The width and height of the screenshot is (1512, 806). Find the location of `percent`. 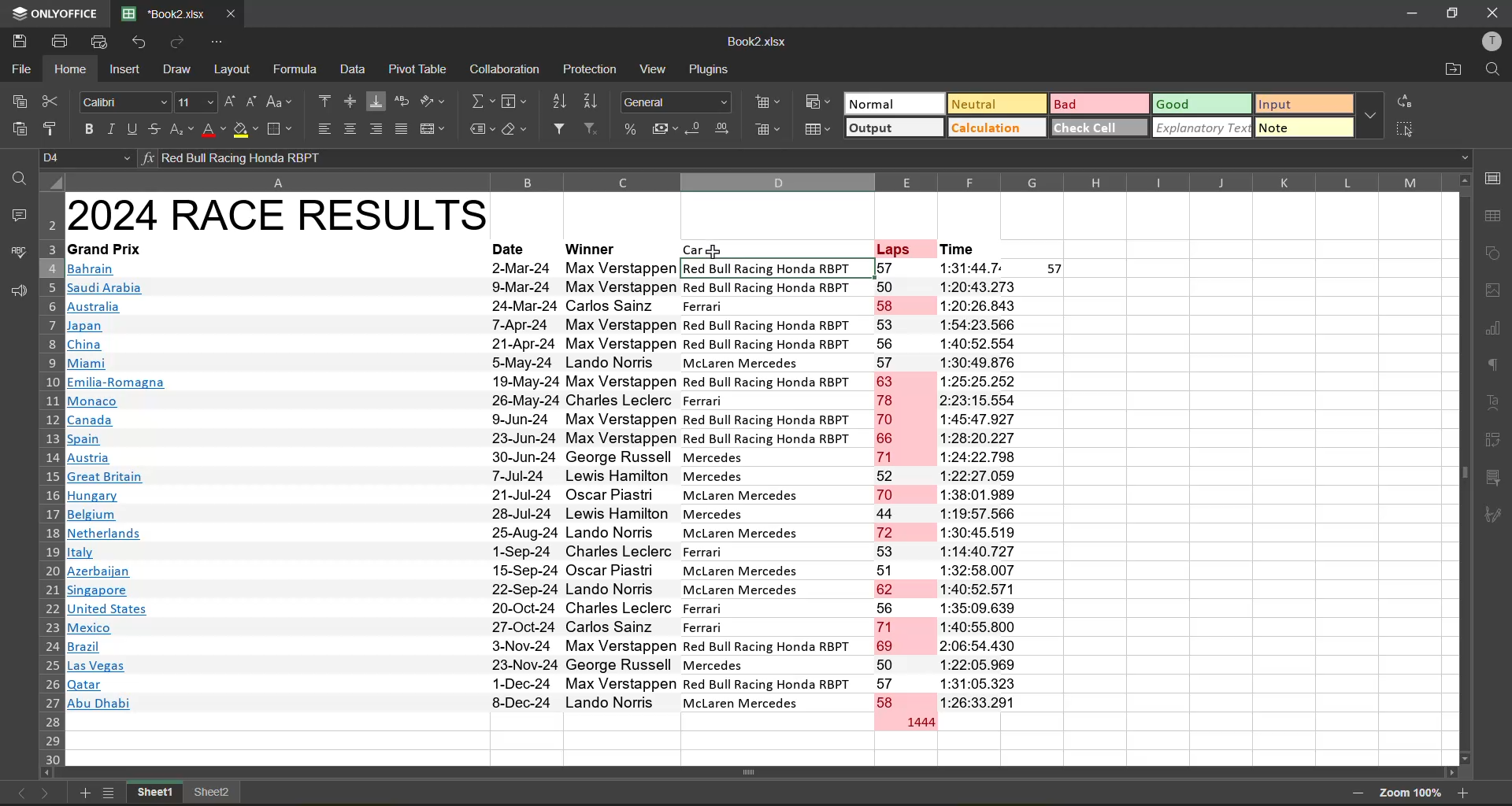

percent is located at coordinates (632, 130).